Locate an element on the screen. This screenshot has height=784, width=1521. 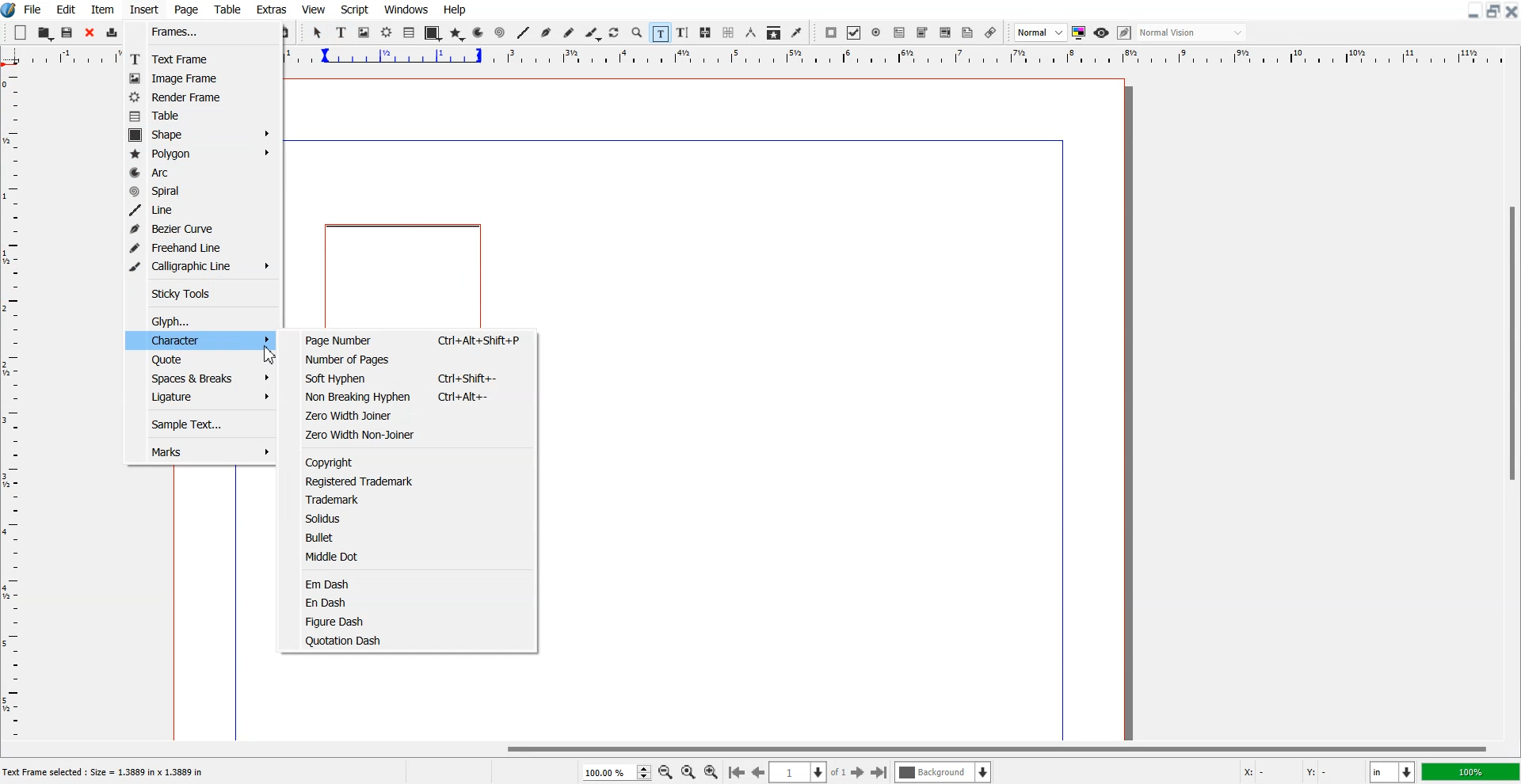
Unlink text Frame is located at coordinates (729, 33).